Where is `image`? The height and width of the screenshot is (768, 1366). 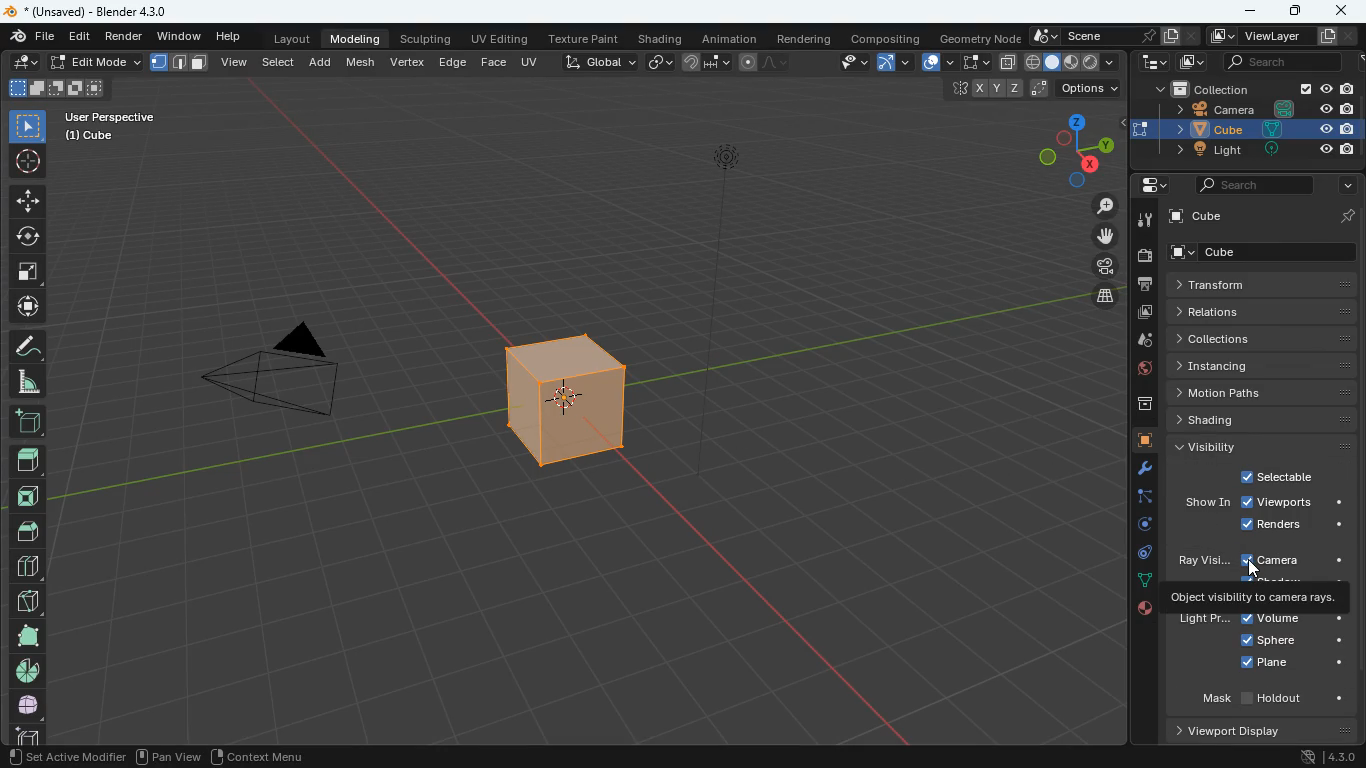
image is located at coordinates (1143, 312).